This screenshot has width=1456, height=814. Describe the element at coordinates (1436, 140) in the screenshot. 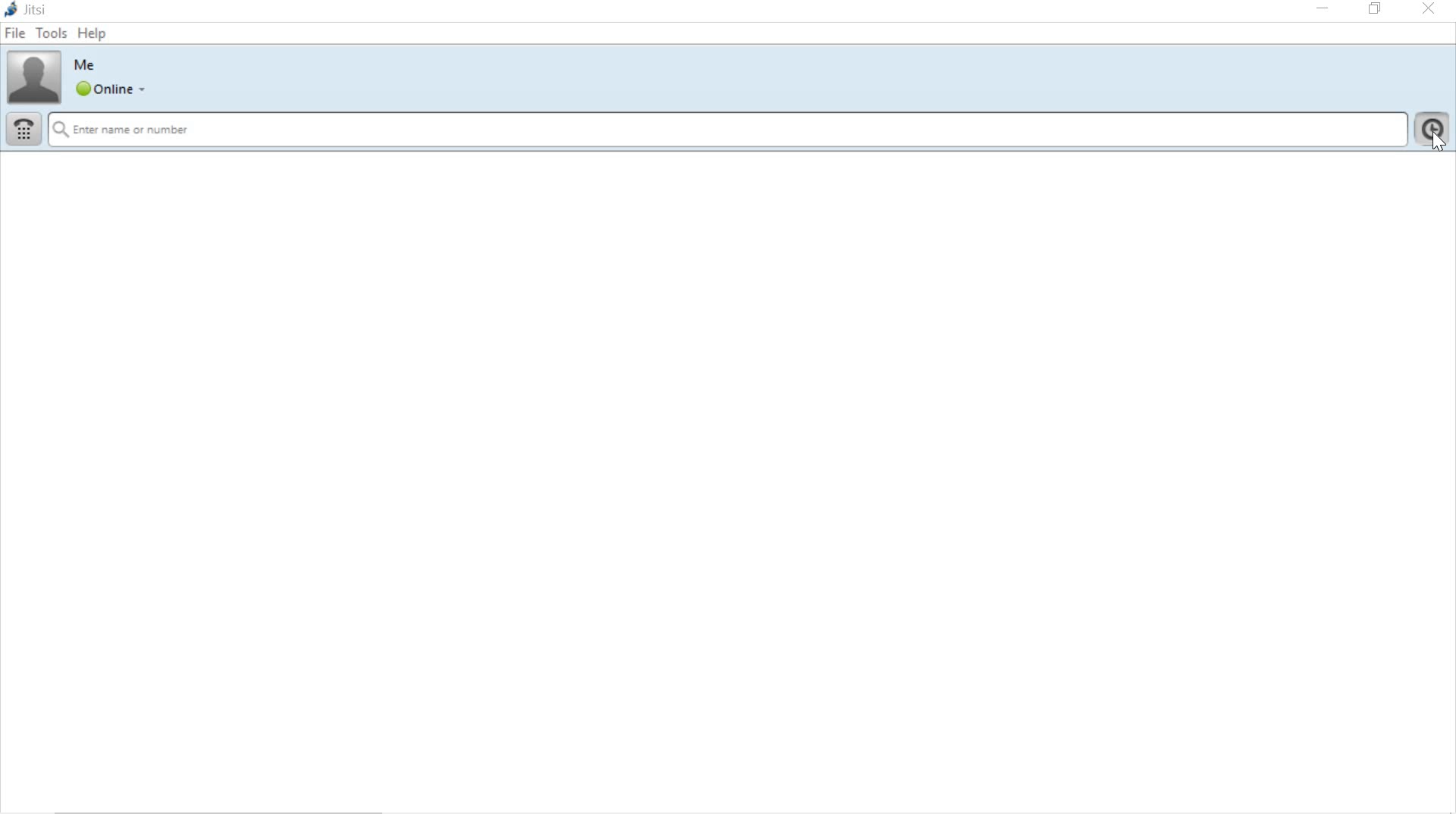

I see `CURSOR POSITION AT click to show call and chat history` at that location.